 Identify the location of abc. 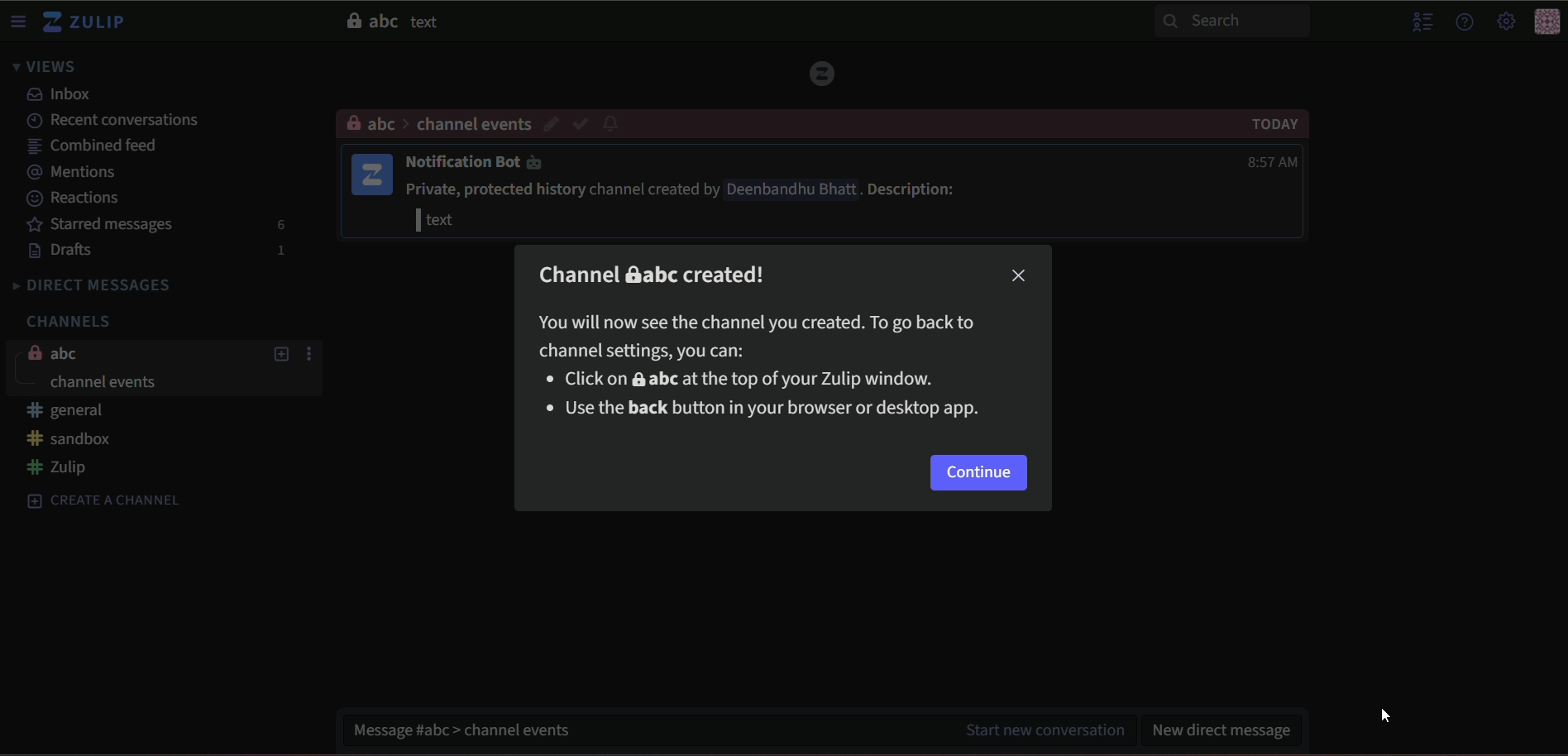
(370, 126).